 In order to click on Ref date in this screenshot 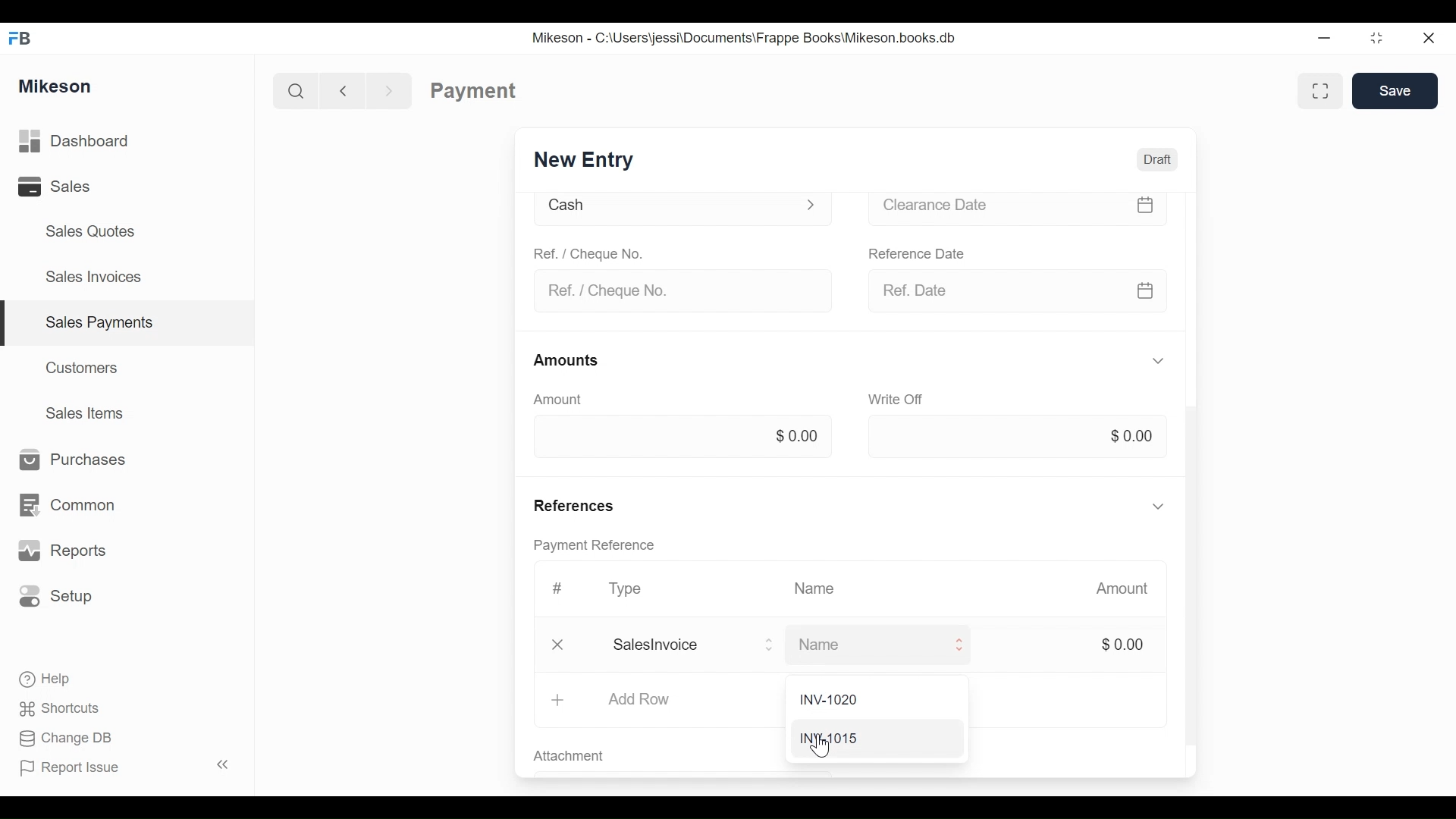, I will do `click(1022, 293)`.